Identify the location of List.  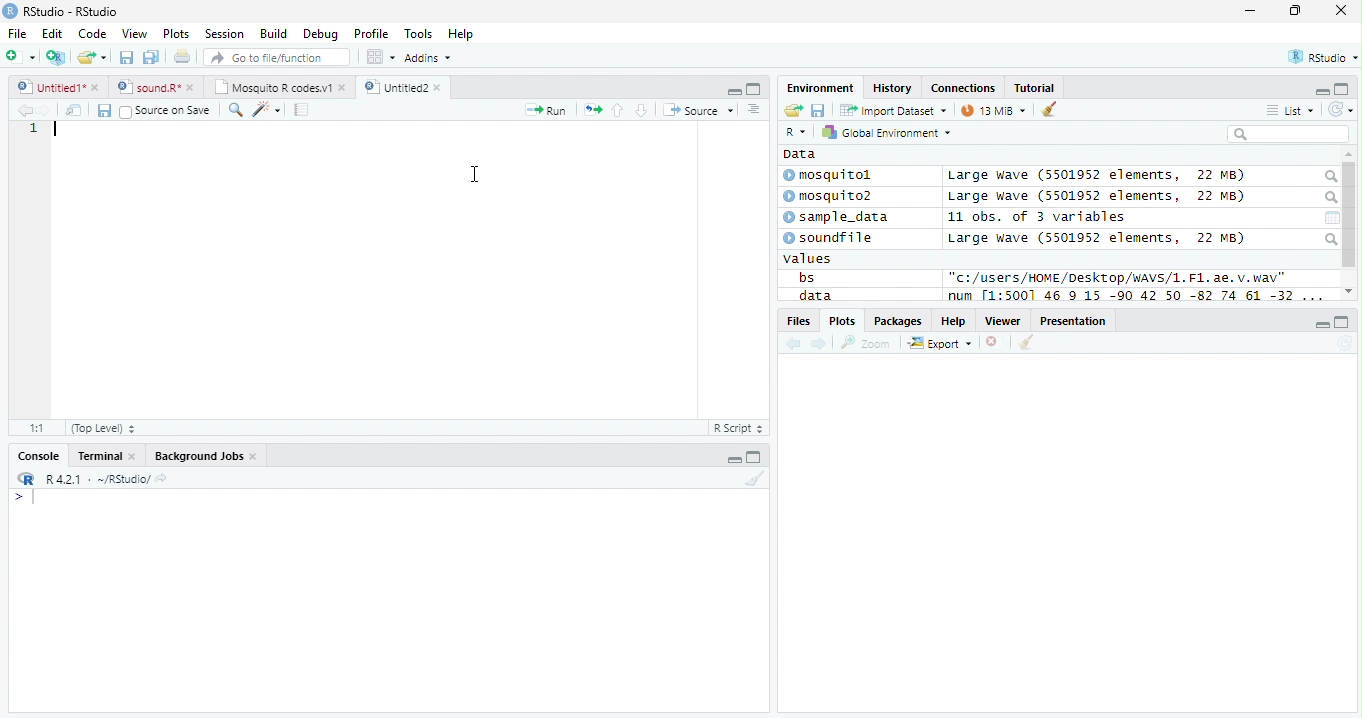
(1290, 110).